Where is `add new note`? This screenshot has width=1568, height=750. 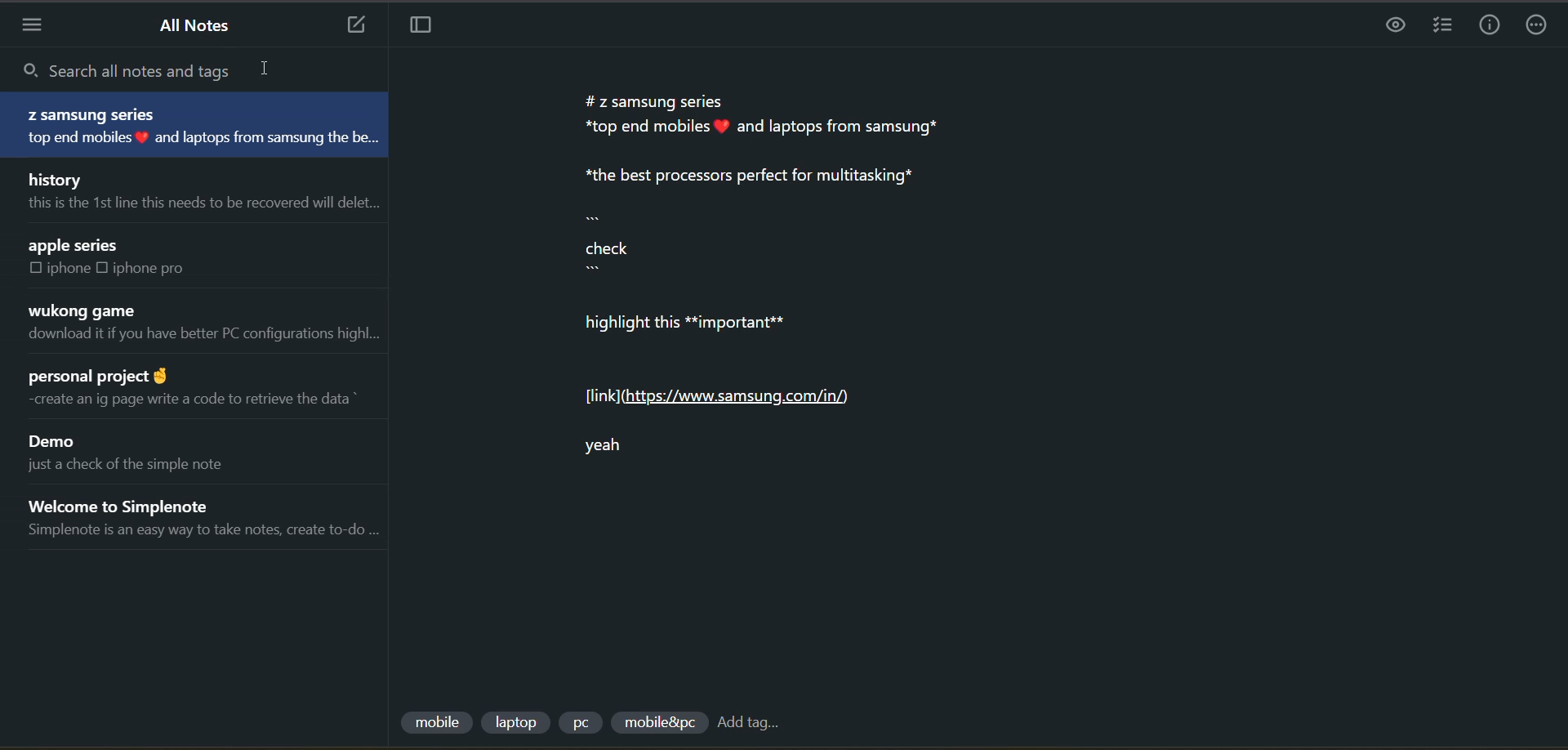
add new note is located at coordinates (351, 26).